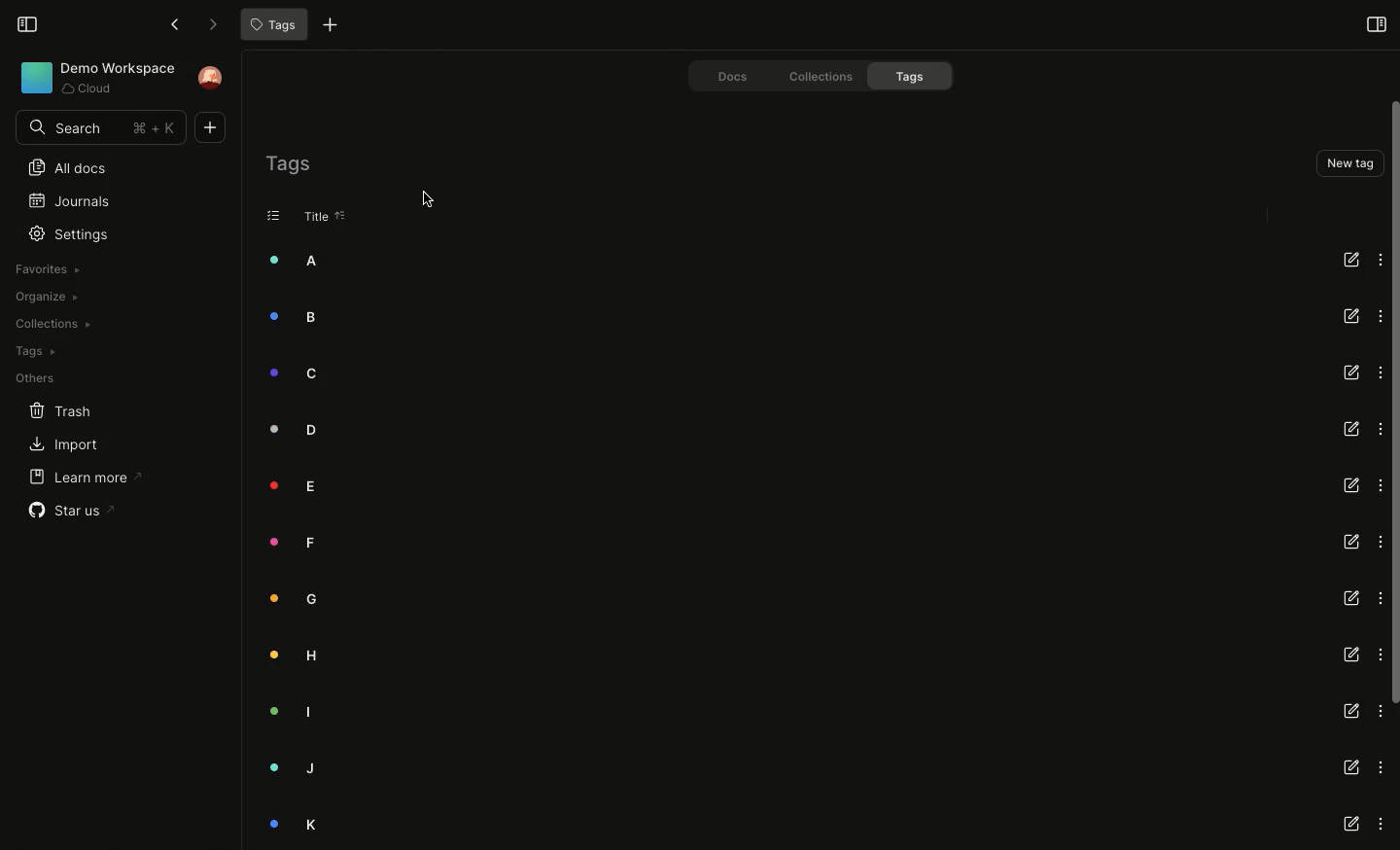 Image resolution: width=1400 pixels, height=850 pixels. What do you see at coordinates (290, 769) in the screenshot?
I see `J` at bounding box center [290, 769].